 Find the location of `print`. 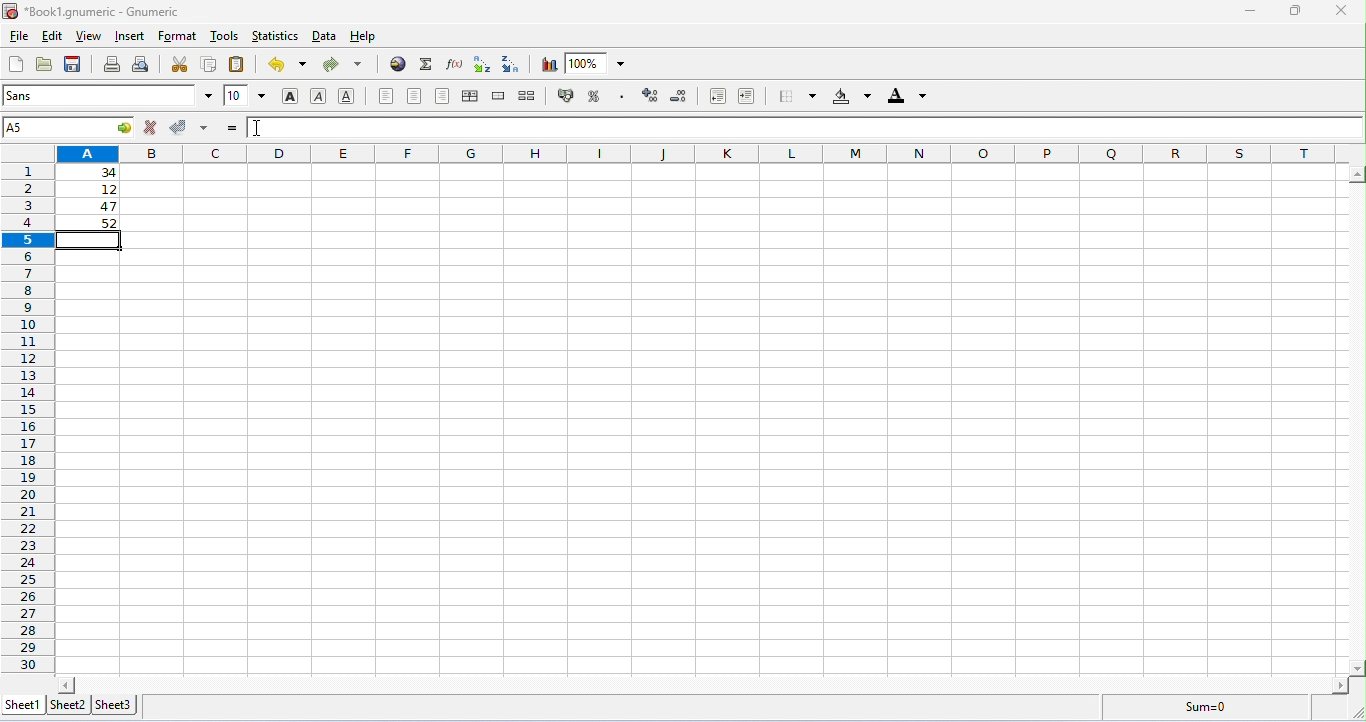

print is located at coordinates (112, 64).